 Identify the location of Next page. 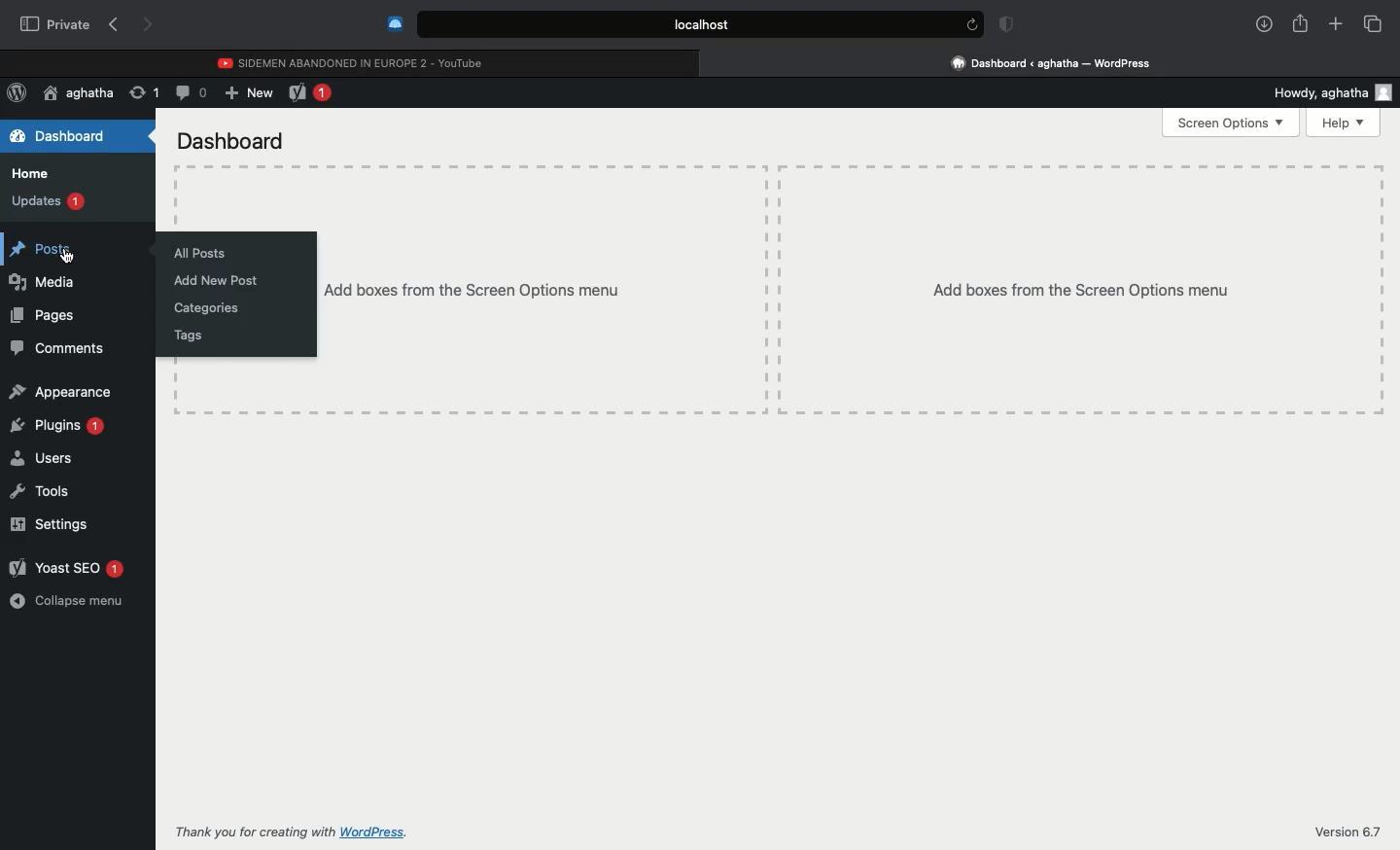
(150, 26).